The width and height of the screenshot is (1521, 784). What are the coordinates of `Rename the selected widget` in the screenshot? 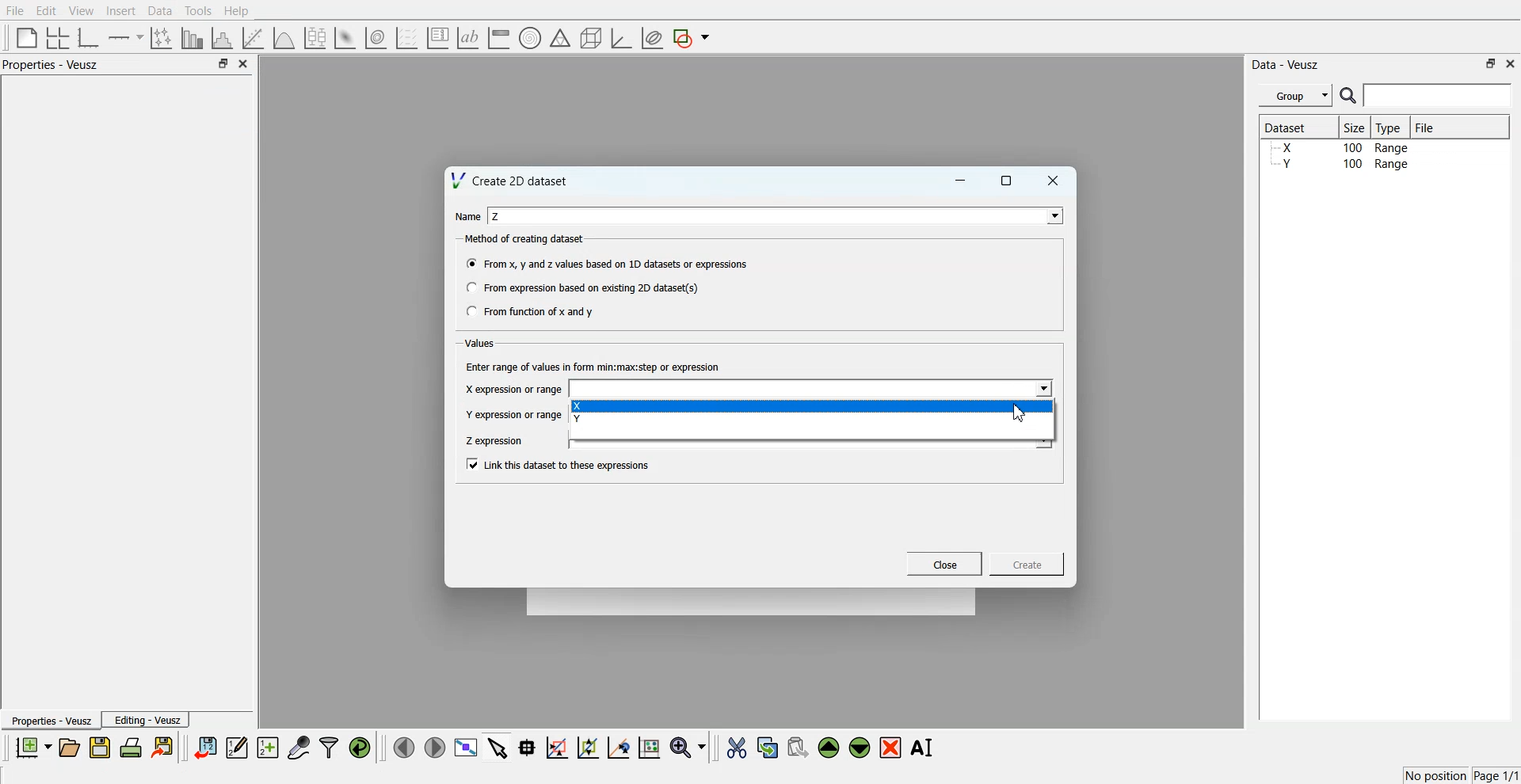 It's located at (924, 748).